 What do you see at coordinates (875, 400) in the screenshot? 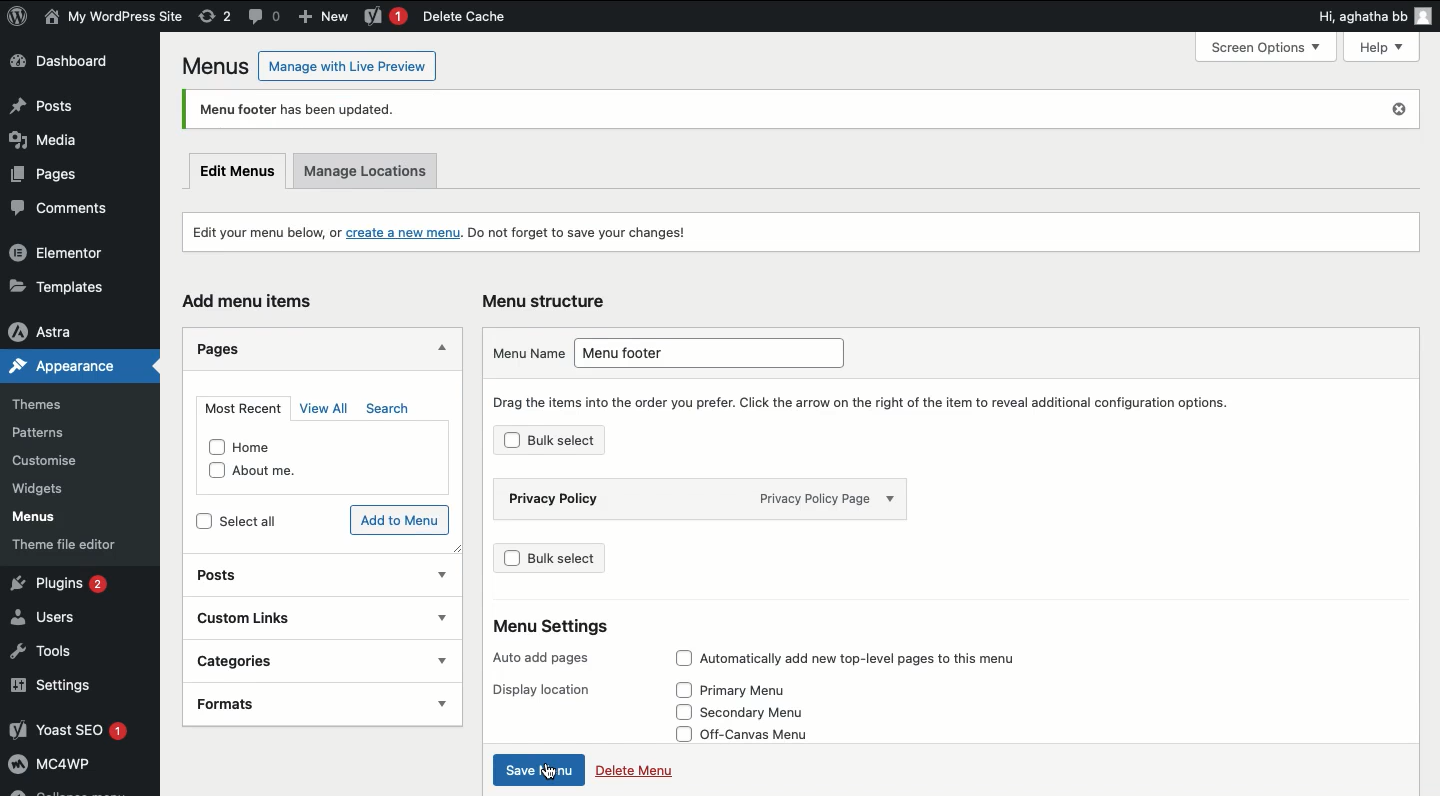
I see `Drag the items into the order you prefer` at bounding box center [875, 400].